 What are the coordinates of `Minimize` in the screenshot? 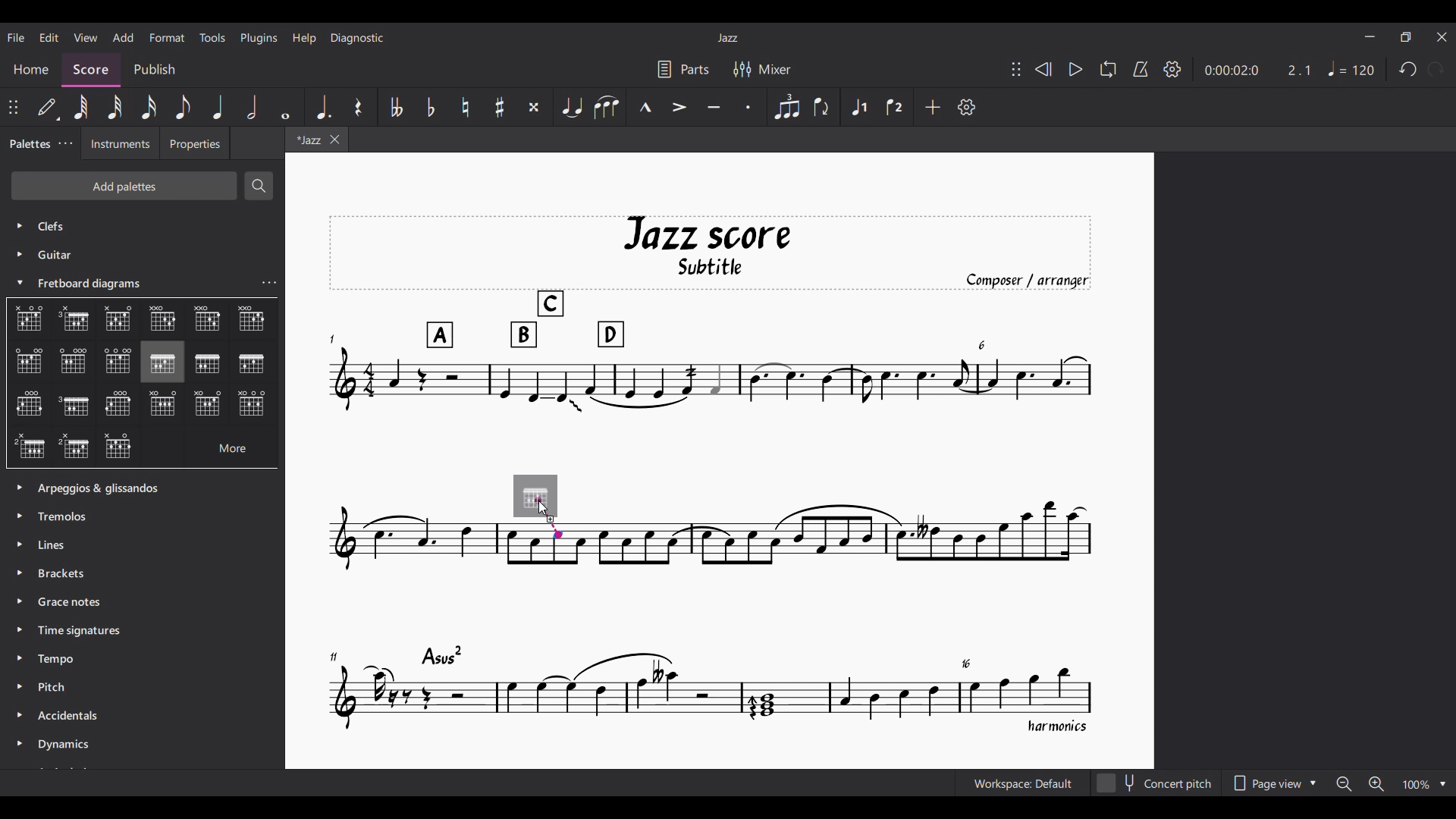 It's located at (1370, 36).